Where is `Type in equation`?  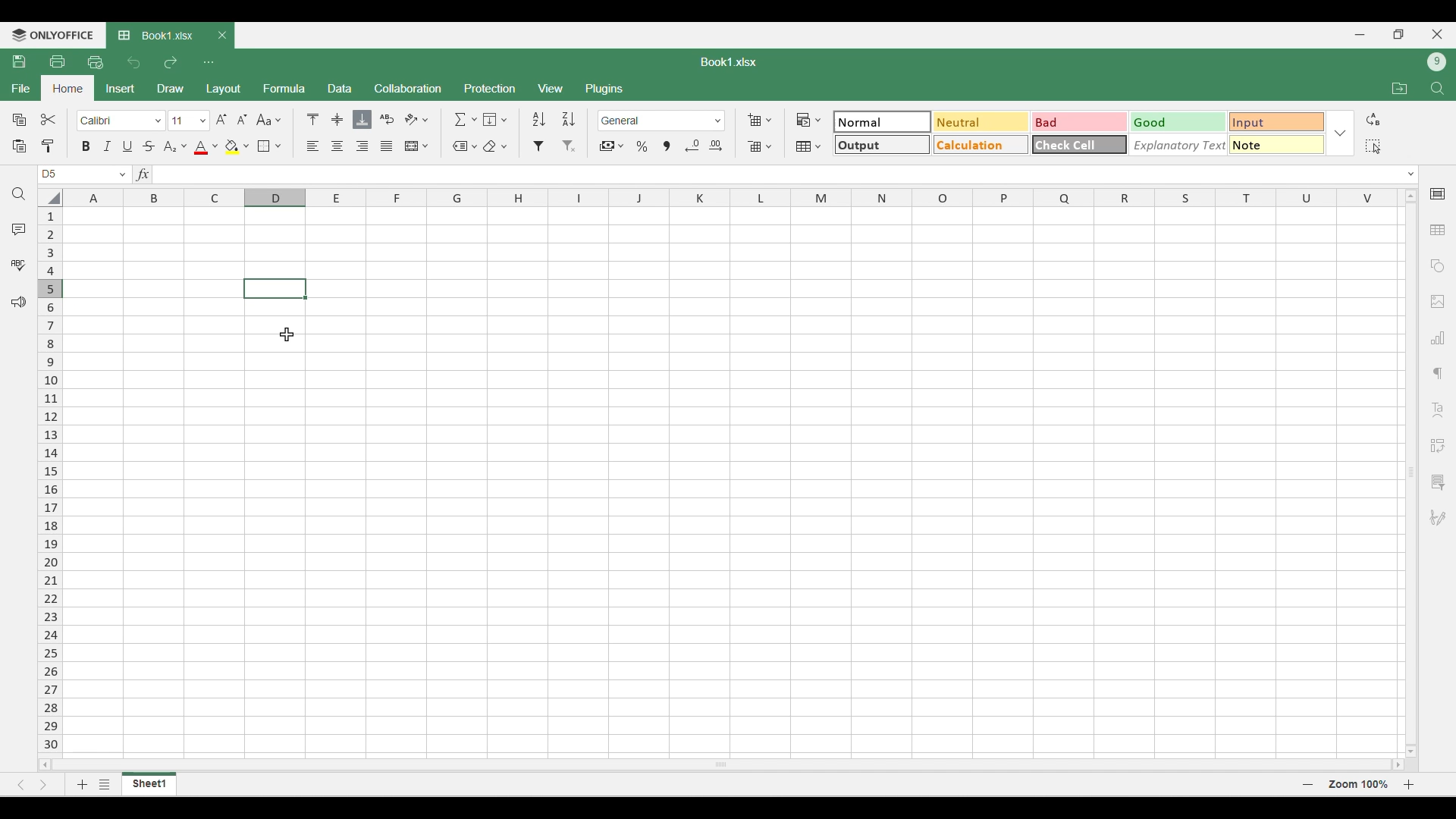 Type in equation is located at coordinates (206, 174).